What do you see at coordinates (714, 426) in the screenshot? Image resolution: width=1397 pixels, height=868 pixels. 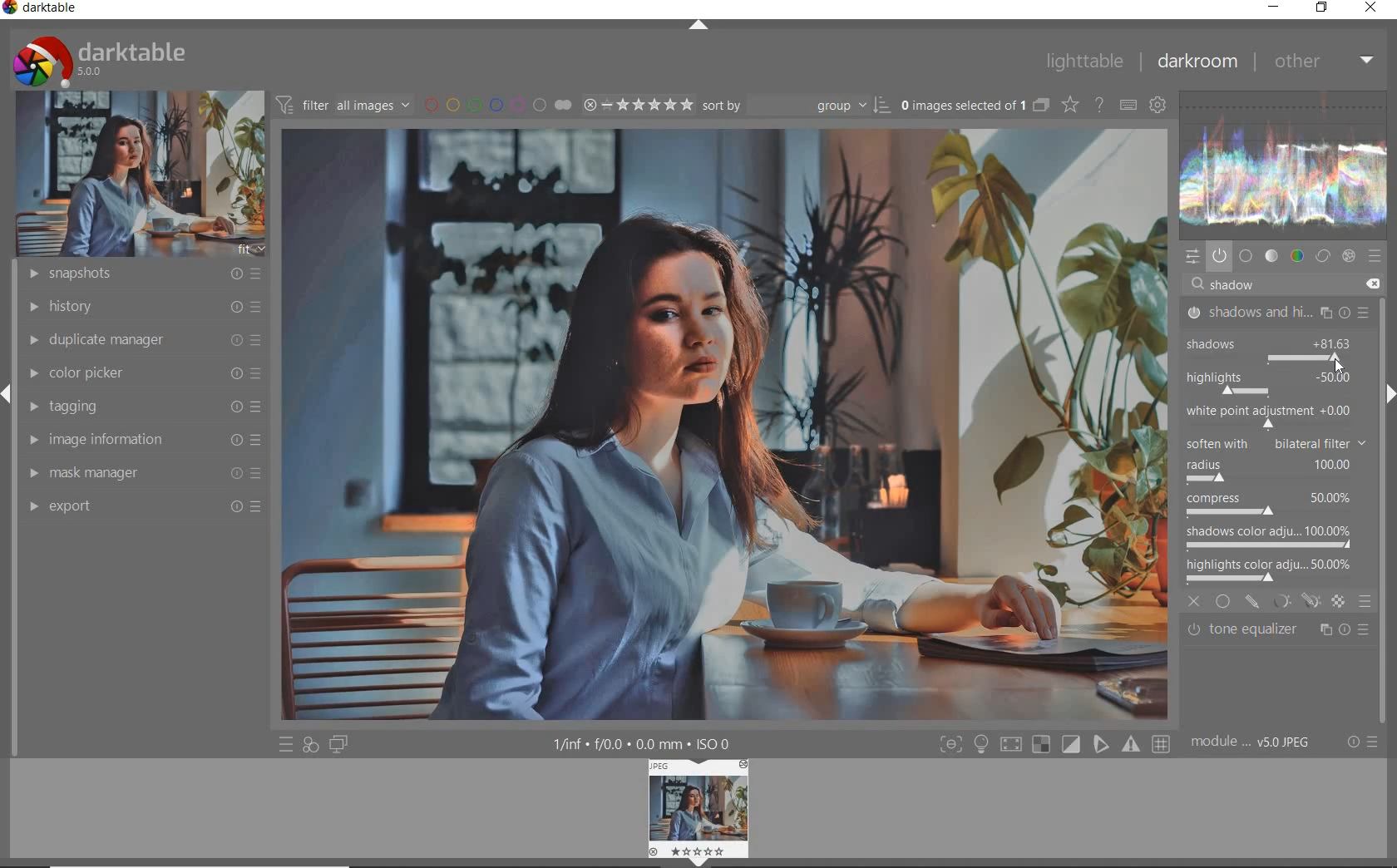 I see `selected image` at bounding box center [714, 426].